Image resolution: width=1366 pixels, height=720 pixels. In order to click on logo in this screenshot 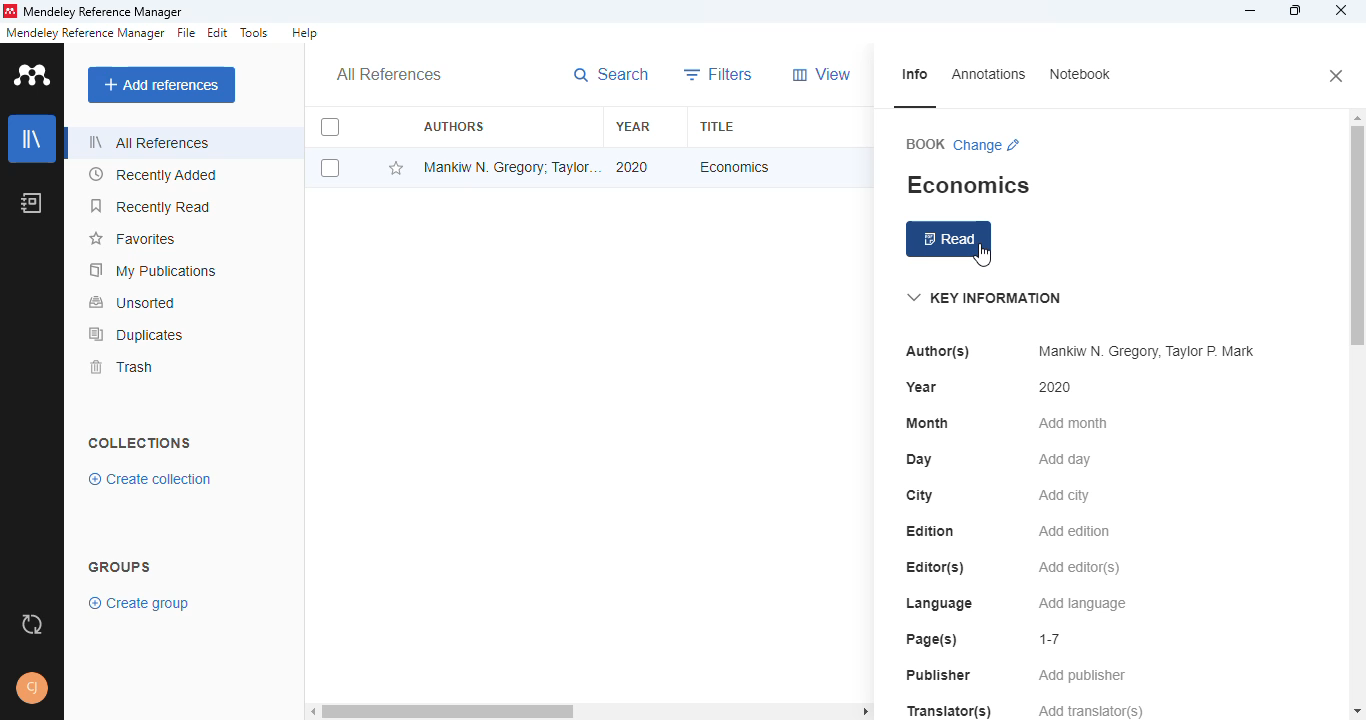, I will do `click(30, 73)`.